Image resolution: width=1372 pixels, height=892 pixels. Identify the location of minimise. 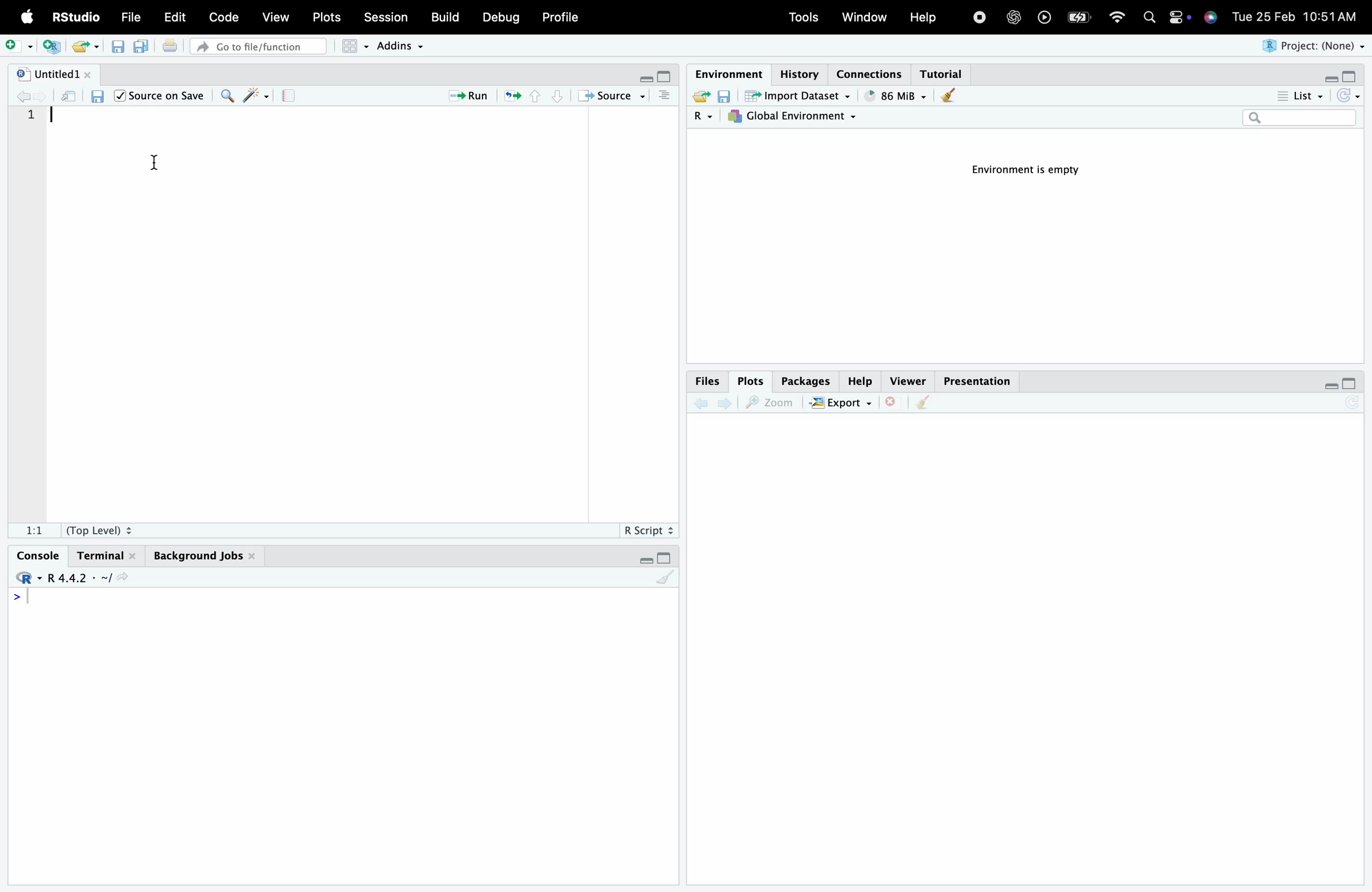
(1327, 385).